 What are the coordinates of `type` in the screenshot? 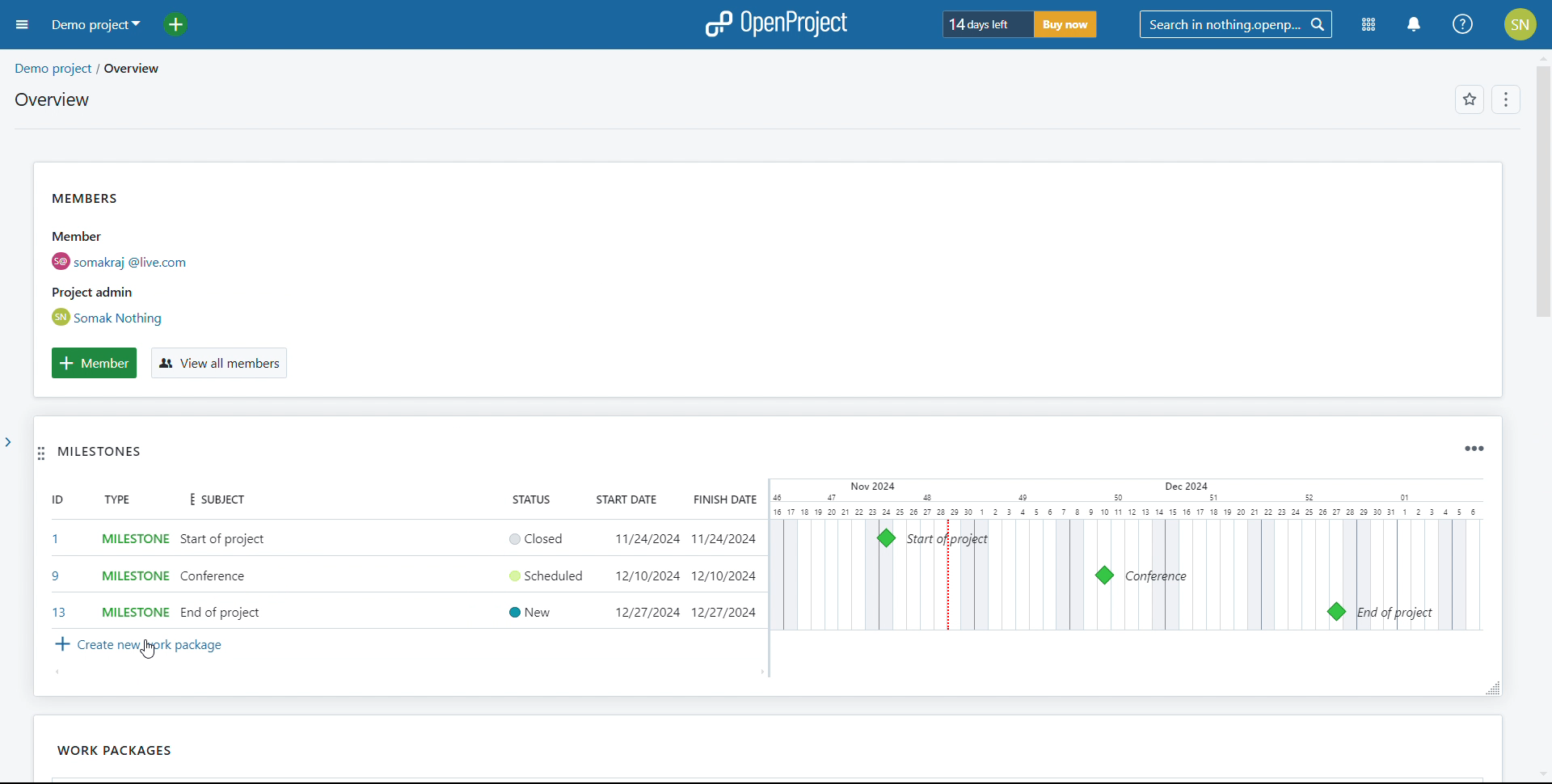 It's located at (134, 501).